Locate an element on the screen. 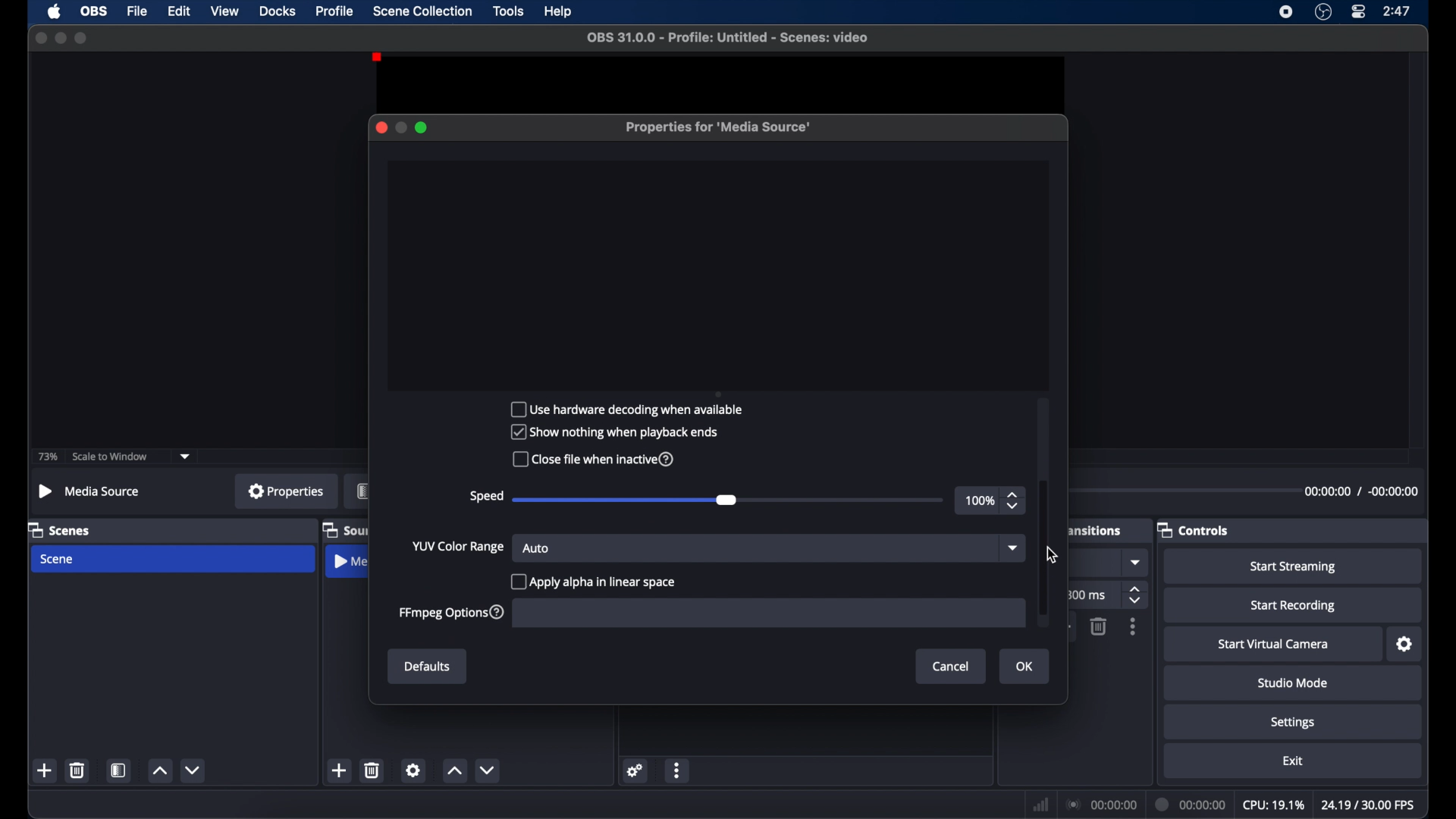  duration is located at coordinates (1360, 491).